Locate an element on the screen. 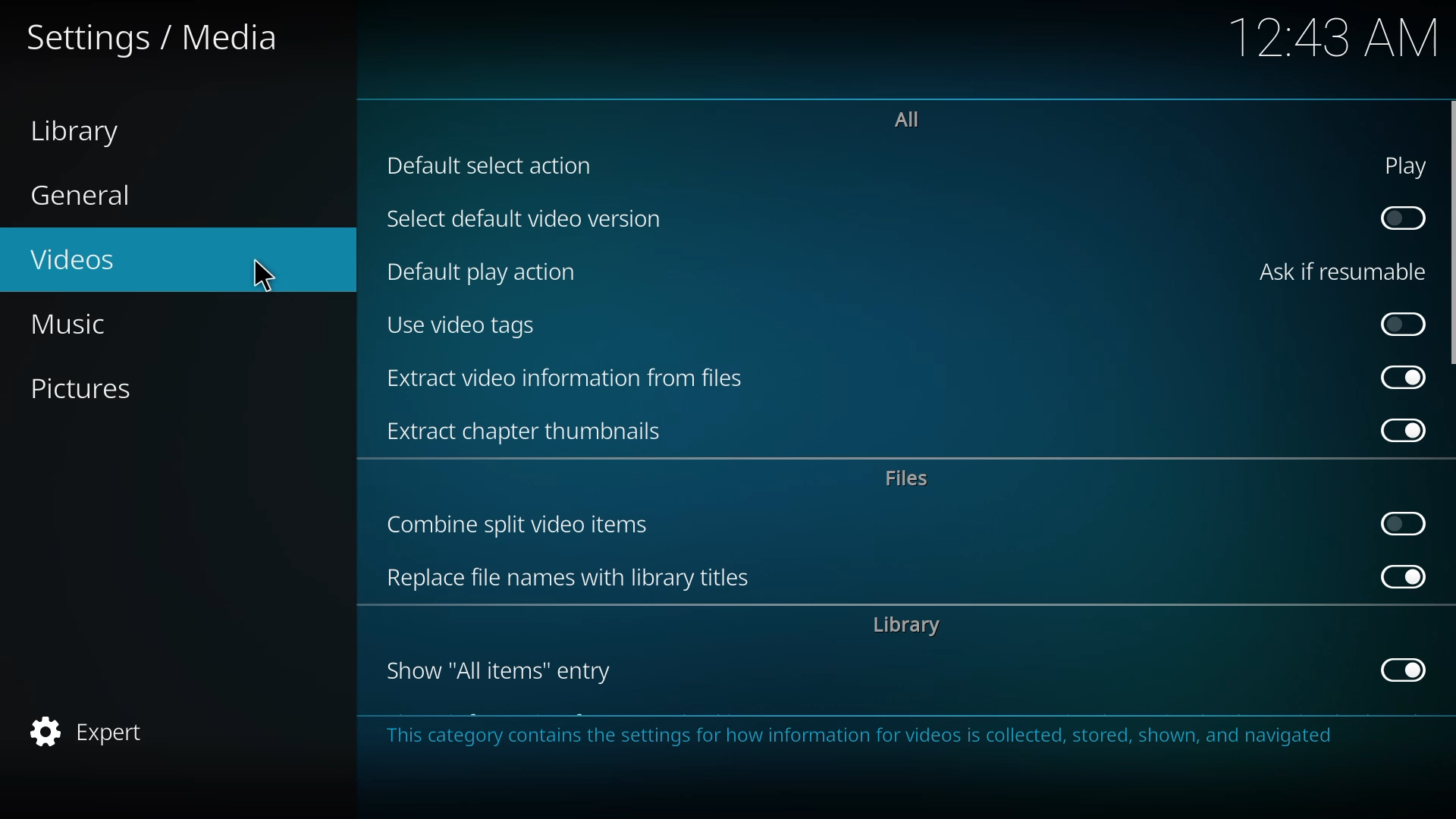  enabled is located at coordinates (1404, 670).